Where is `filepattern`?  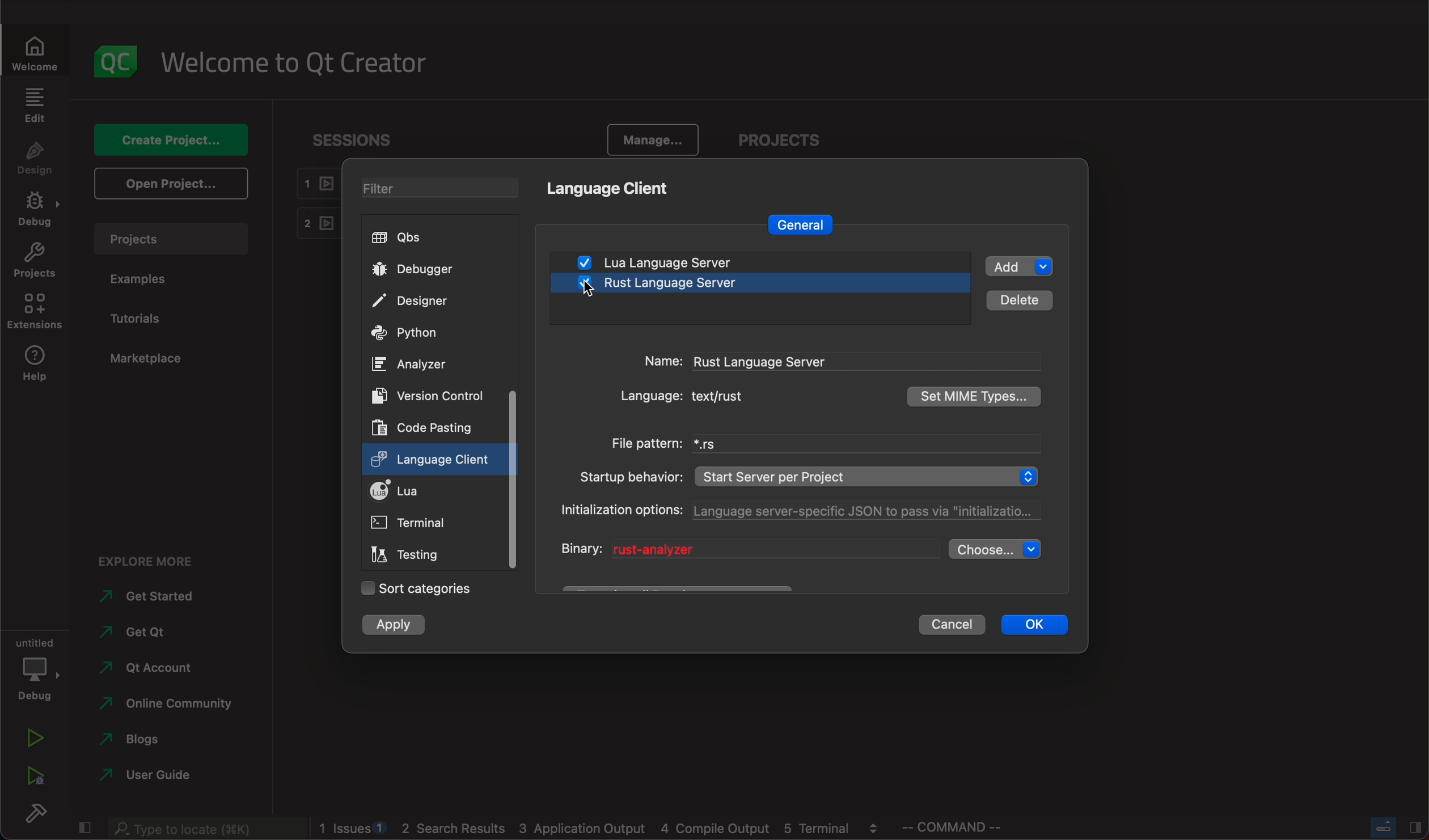
filepattern is located at coordinates (818, 443).